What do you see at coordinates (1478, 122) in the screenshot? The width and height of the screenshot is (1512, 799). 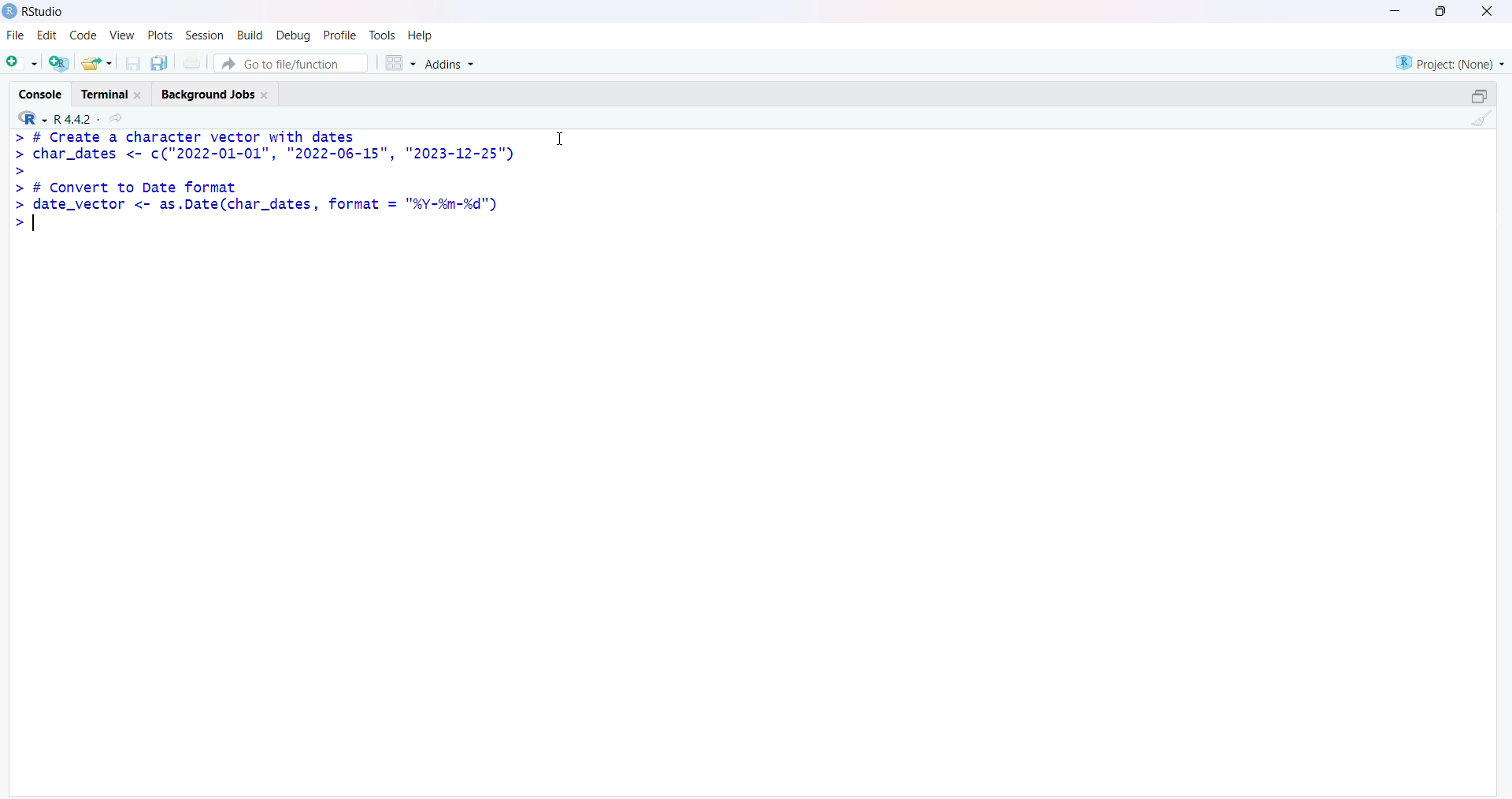 I see `Clear console (Ctrl +L)` at bounding box center [1478, 122].